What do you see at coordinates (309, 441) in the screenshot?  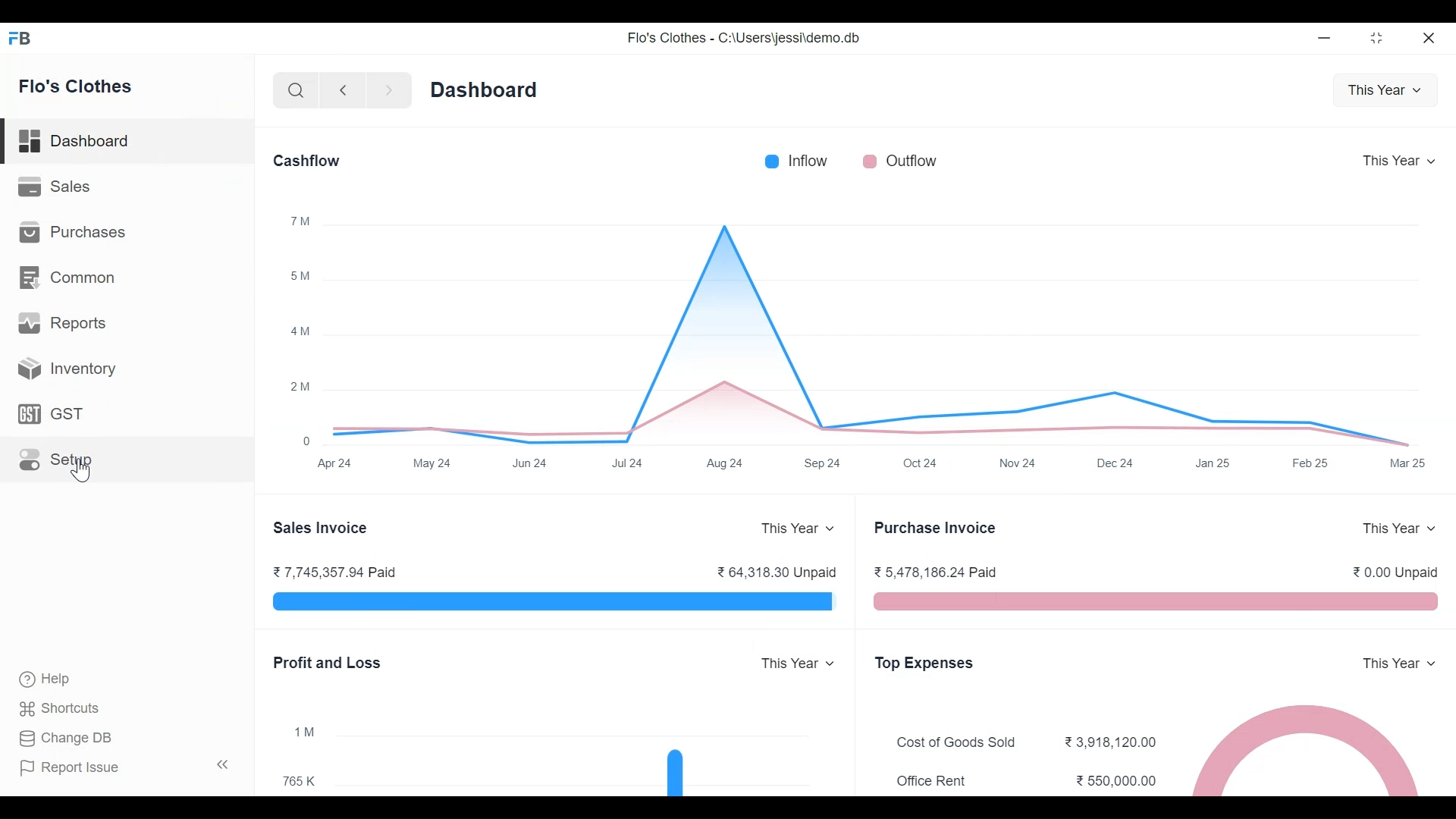 I see `0` at bounding box center [309, 441].